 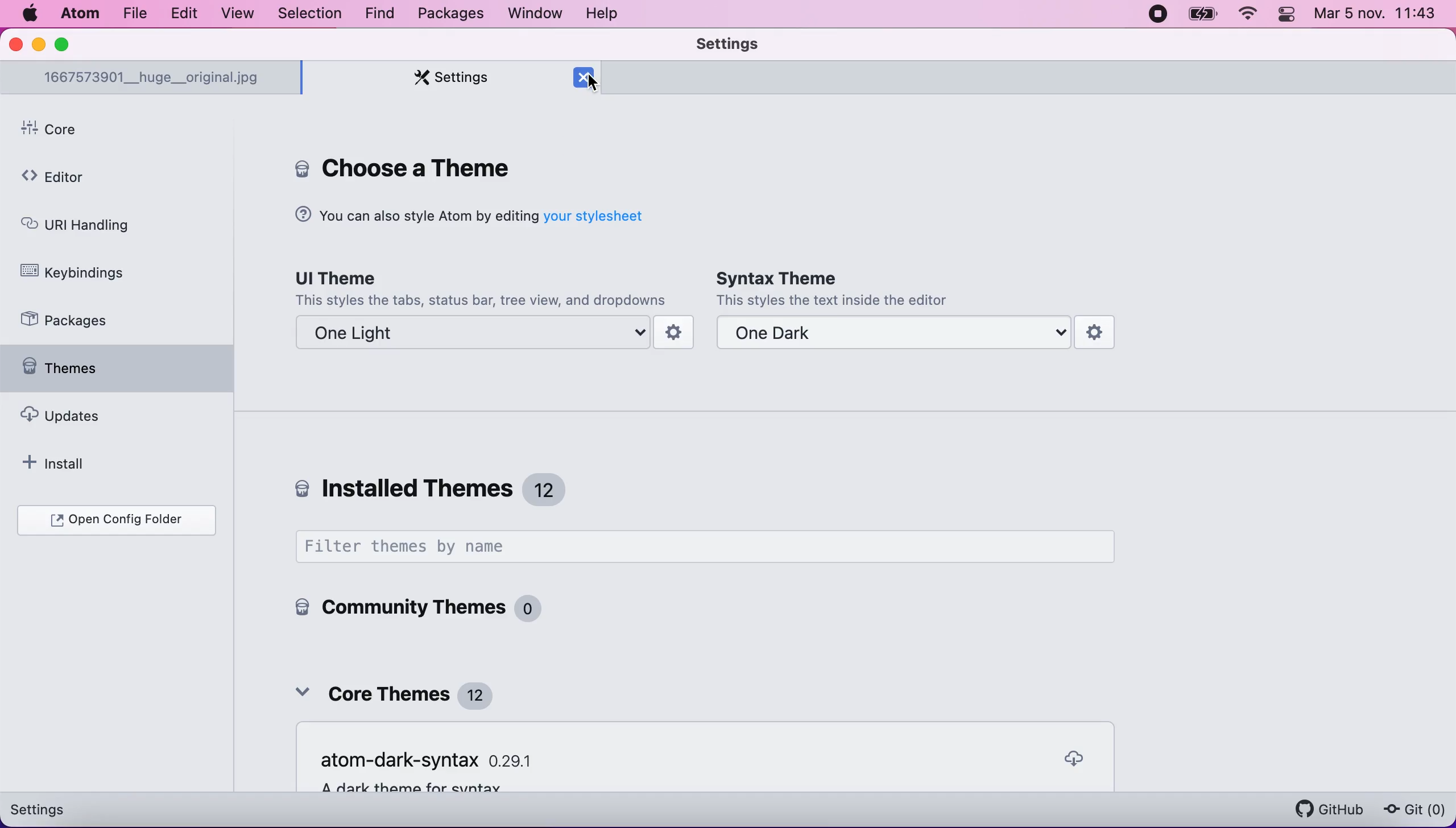 What do you see at coordinates (469, 216) in the screenshot?
I see `You can also style Atom by editing your stylesheet` at bounding box center [469, 216].